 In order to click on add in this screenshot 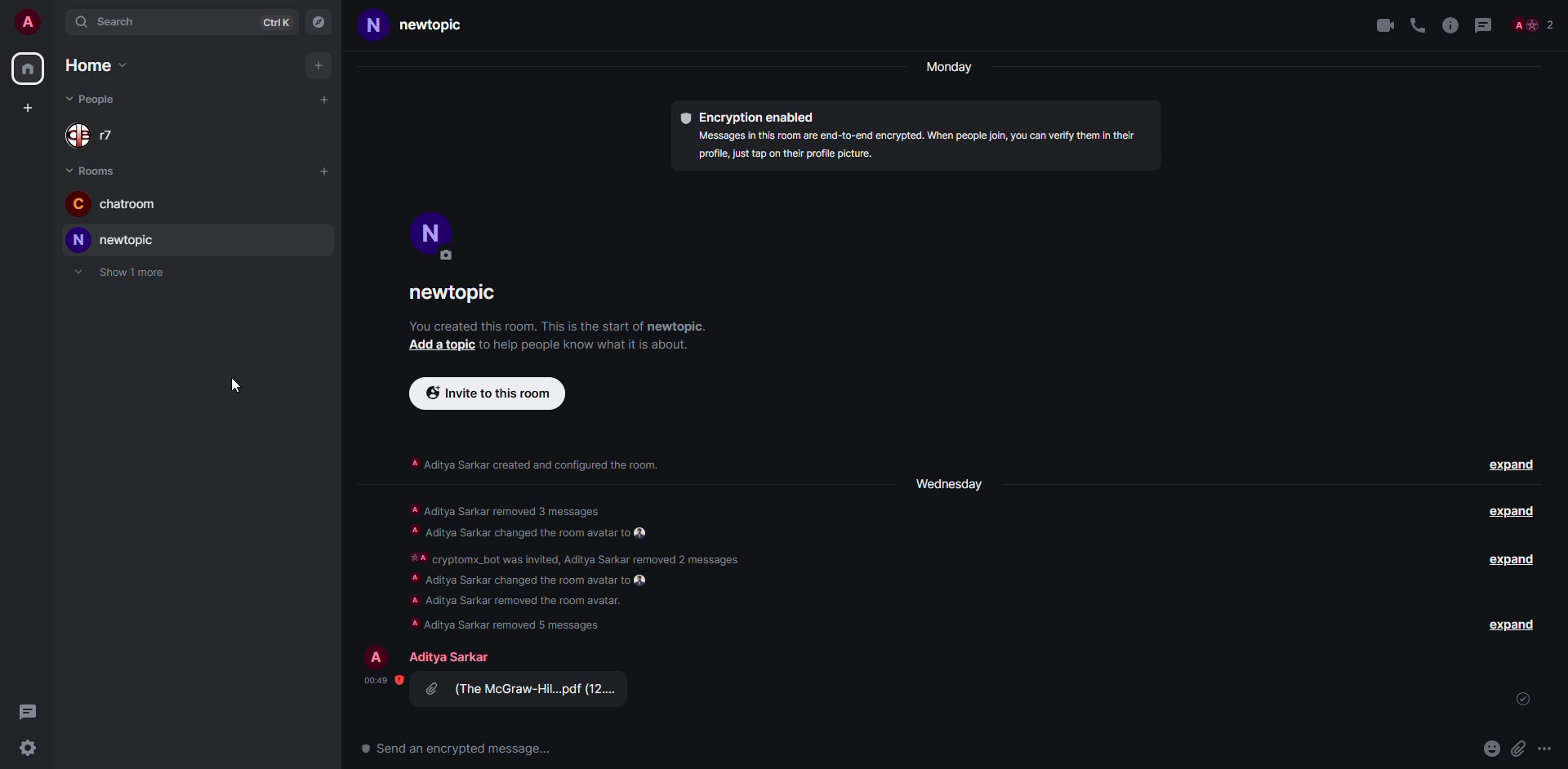, I will do `click(318, 65)`.